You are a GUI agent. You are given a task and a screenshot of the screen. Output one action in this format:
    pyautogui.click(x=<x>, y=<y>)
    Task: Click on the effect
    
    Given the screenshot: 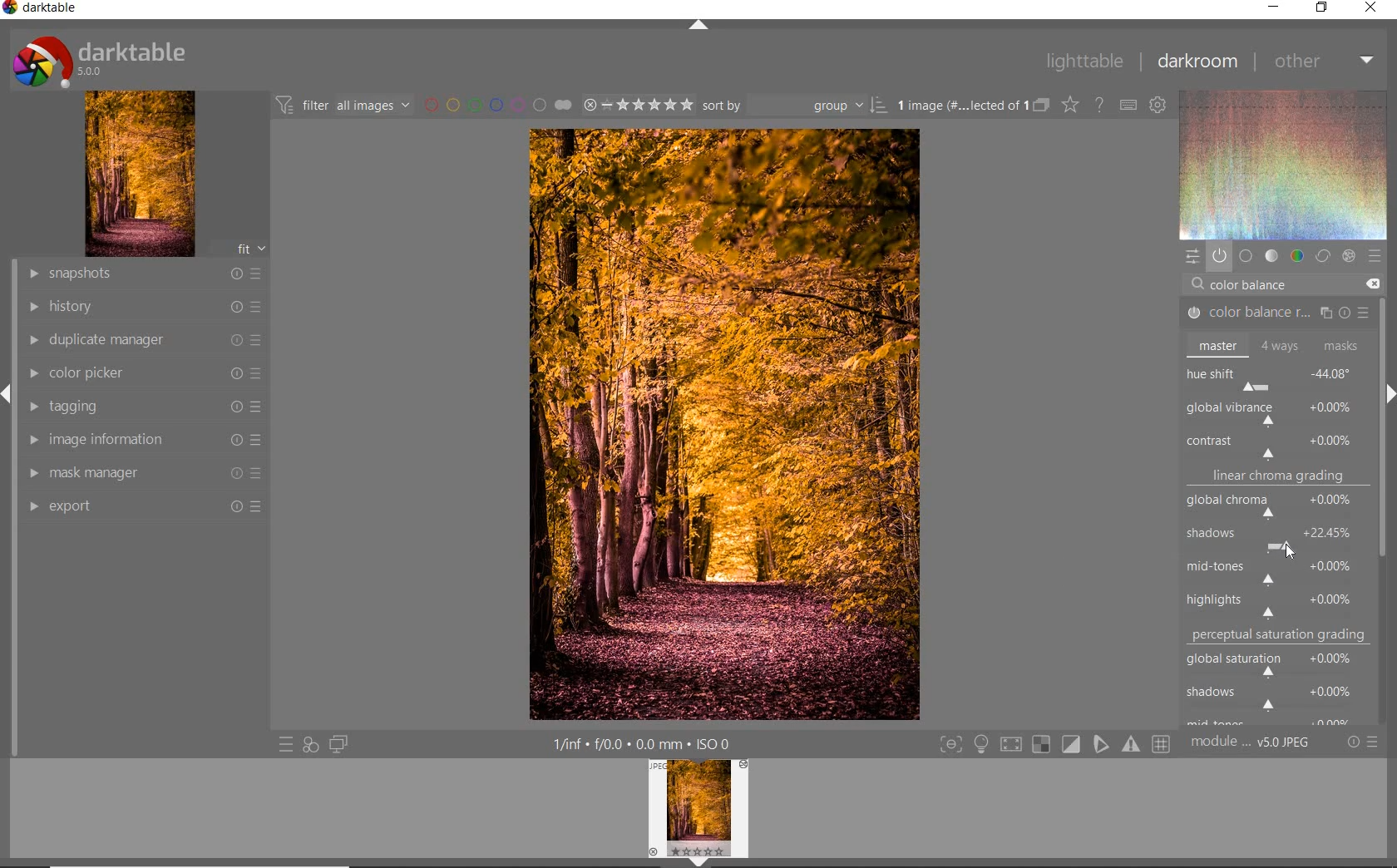 What is the action you would take?
    pyautogui.click(x=1349, y=254)
    